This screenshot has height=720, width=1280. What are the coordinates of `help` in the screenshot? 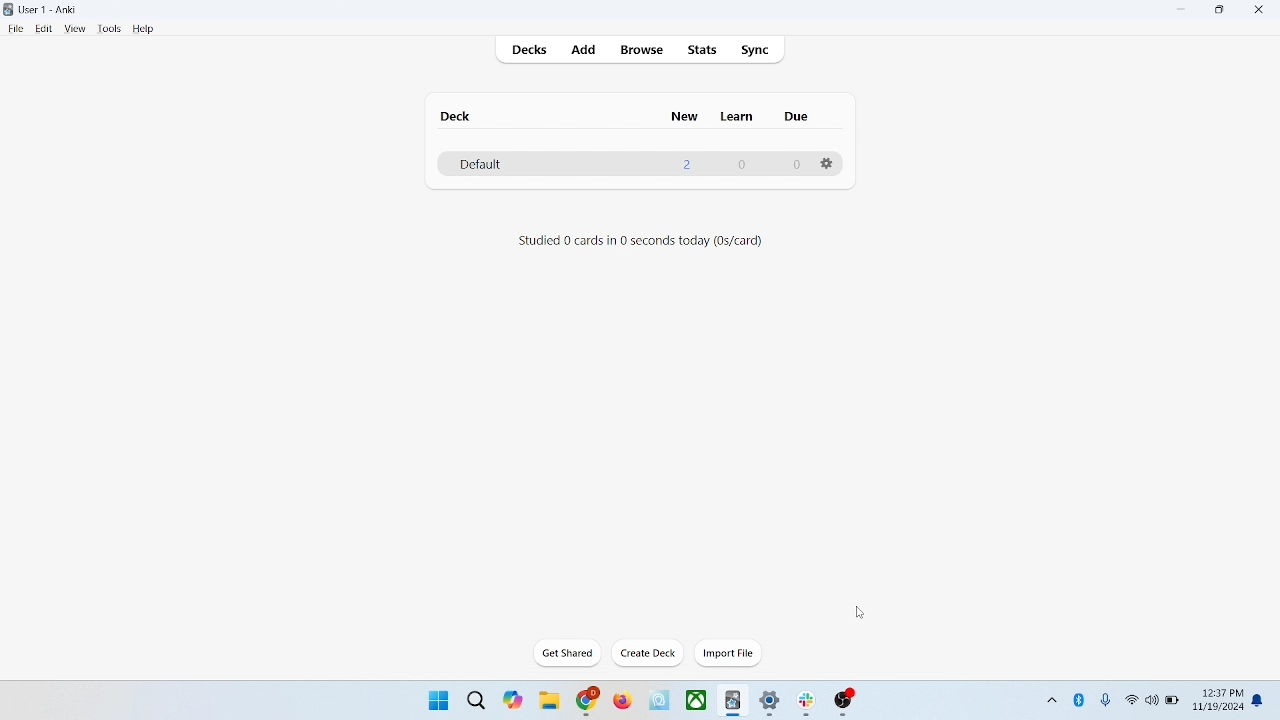 It's located at (144, 30).